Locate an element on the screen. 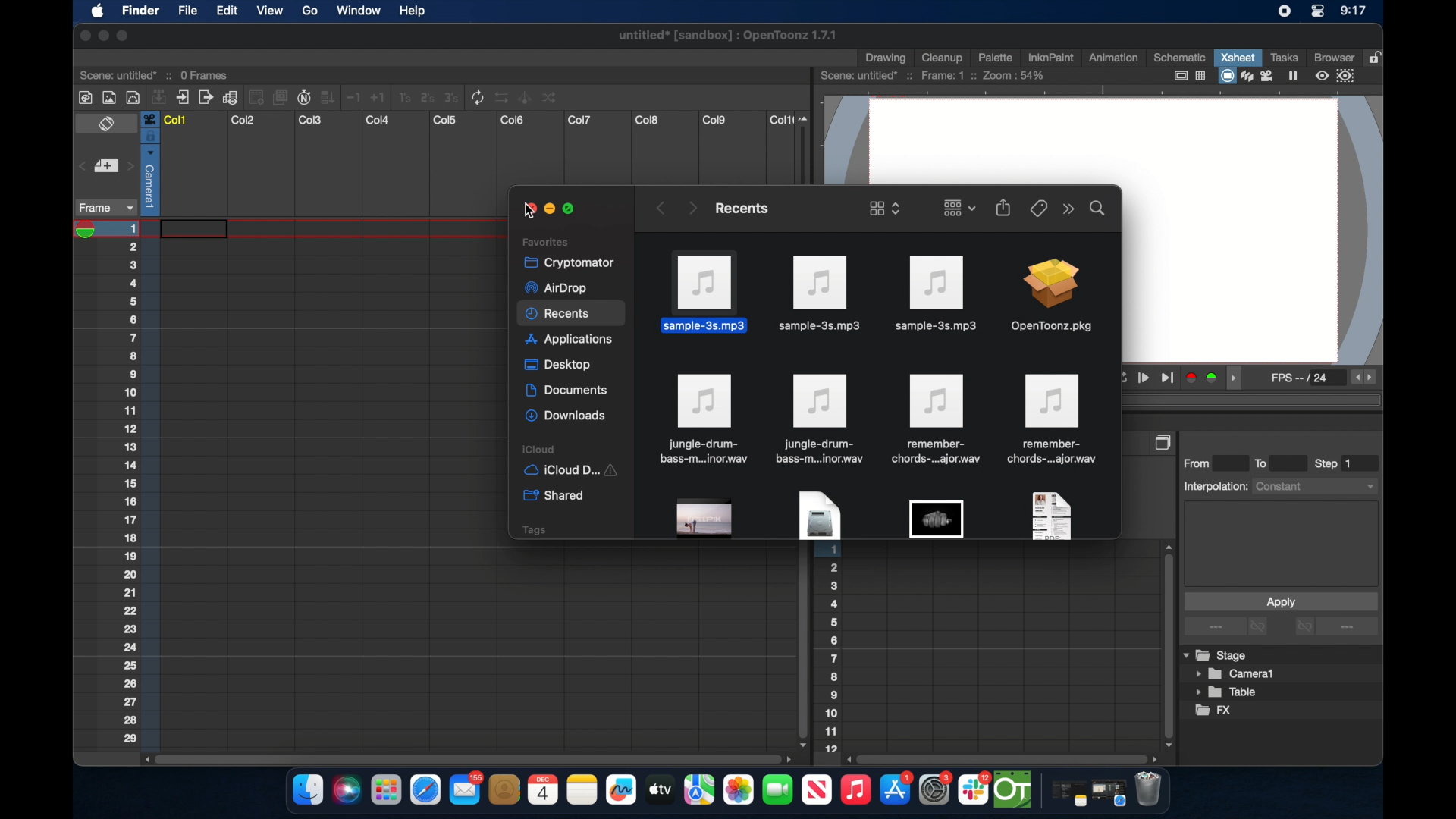 The image size is (1456, 819). apple tv is located at coordinates (816, 790).